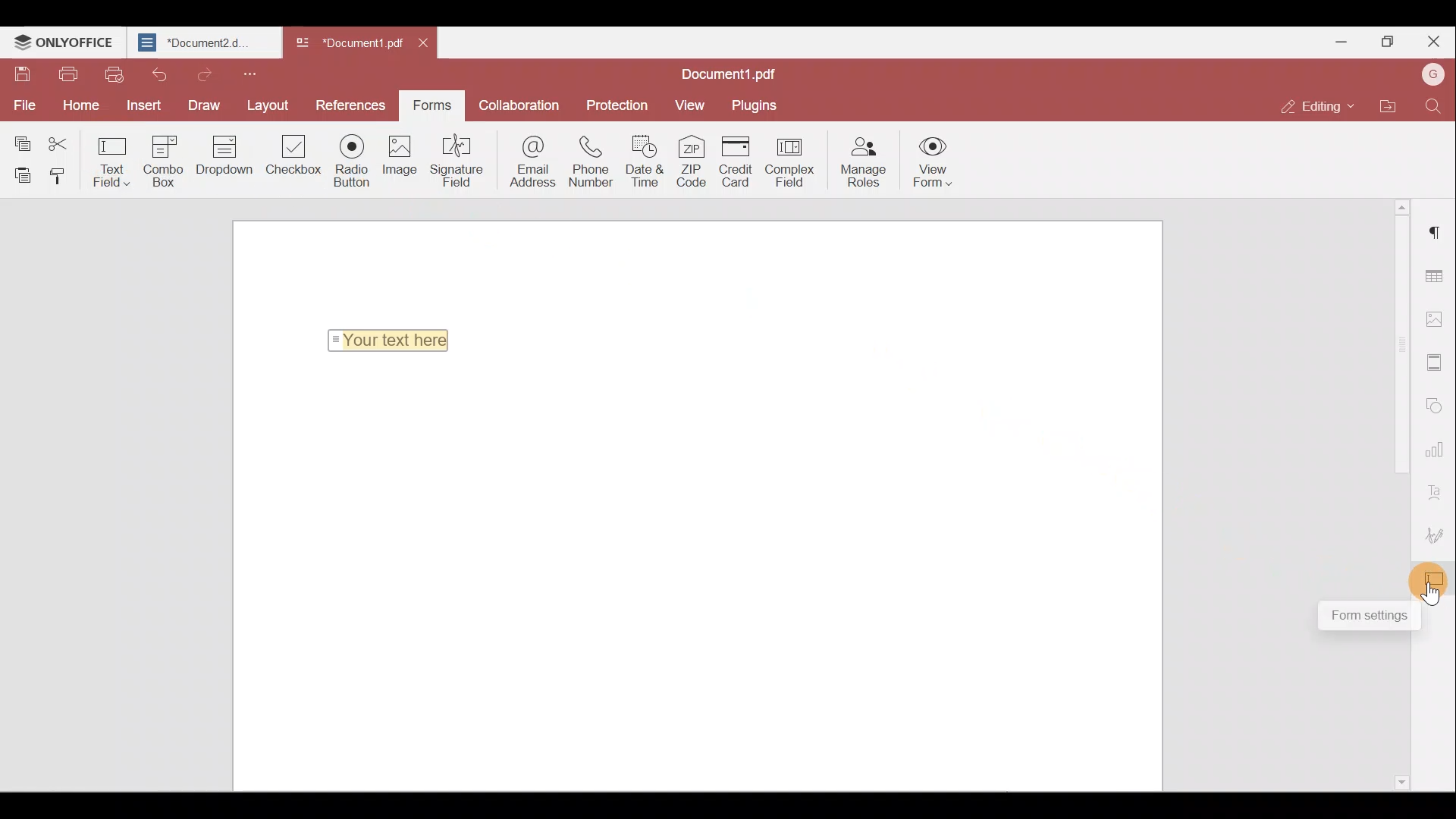 The height and width of the screenshot is (819, 1456). Describe the element at coordinates (168, 158) in the screenshot. I see `Combo box` at that location.